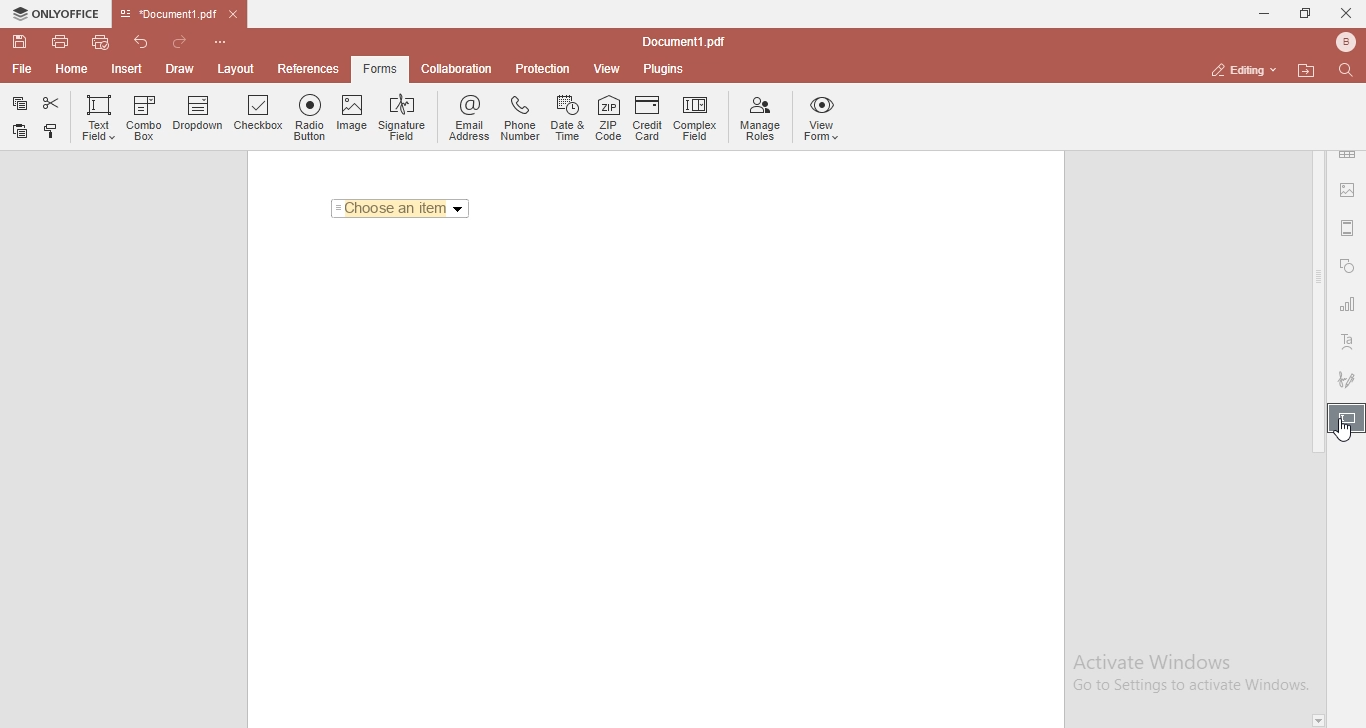 Image resolution: width=1366 pixels, height=728 pixels. I want to click on Activate Windows
Go to Settings to activate Windows., so click(1191, 674).